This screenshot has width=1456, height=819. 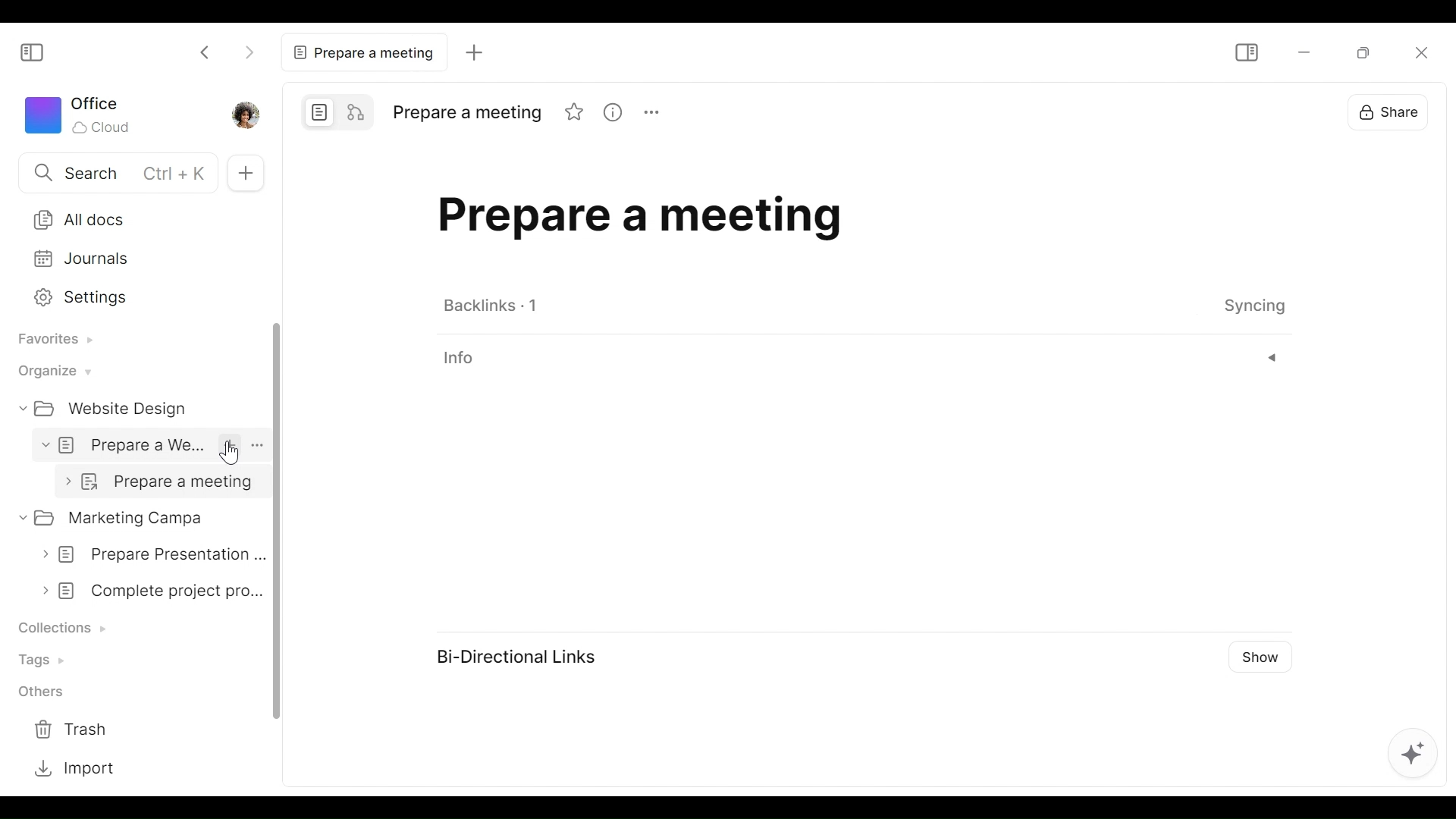 What do you see at coordinates (861, 358) in the screenshot?
I see `View Information` at bounding box center [861, 358].